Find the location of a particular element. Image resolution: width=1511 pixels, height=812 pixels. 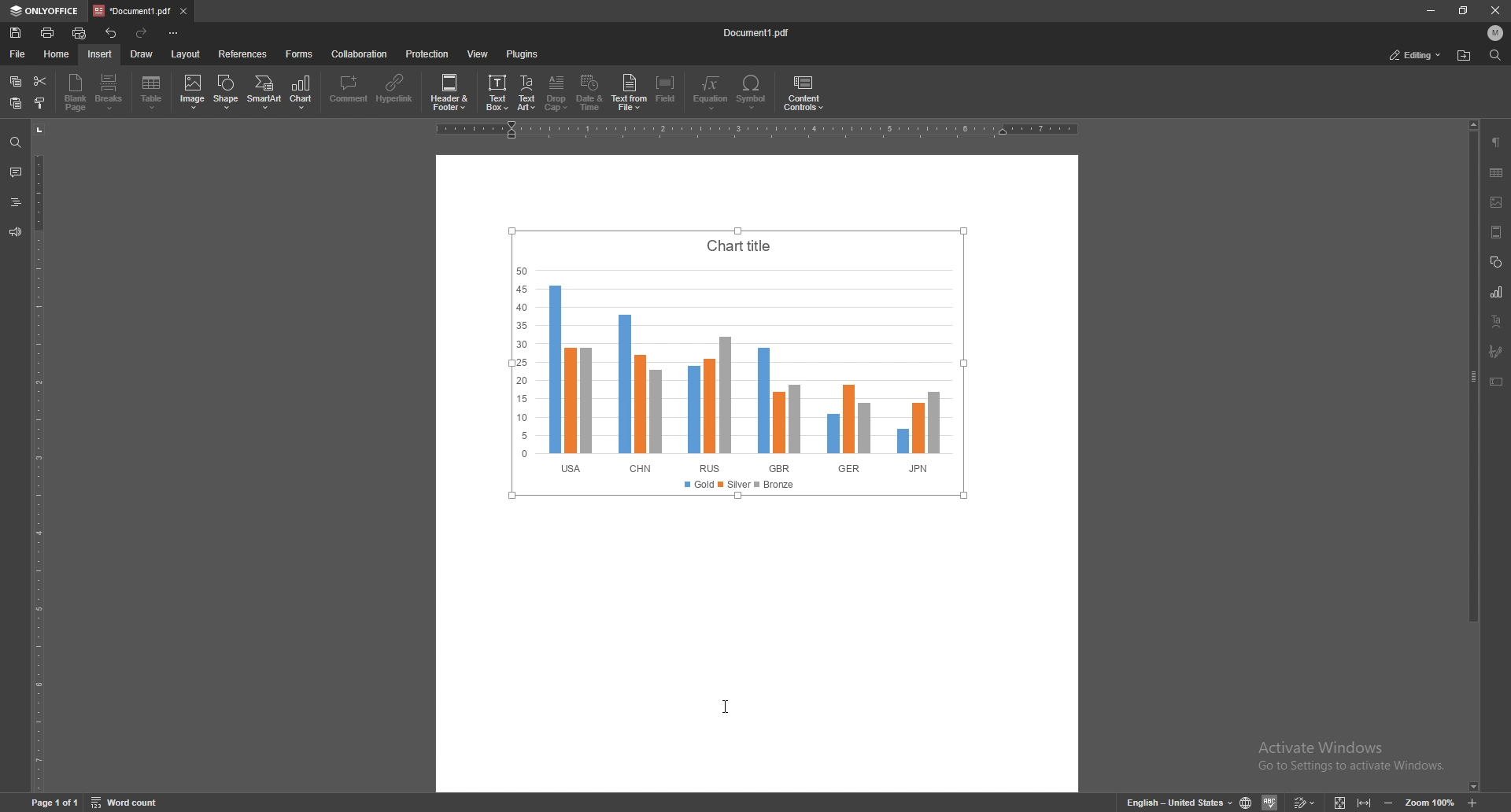

zoom in is located at coordinates (1475, 803).